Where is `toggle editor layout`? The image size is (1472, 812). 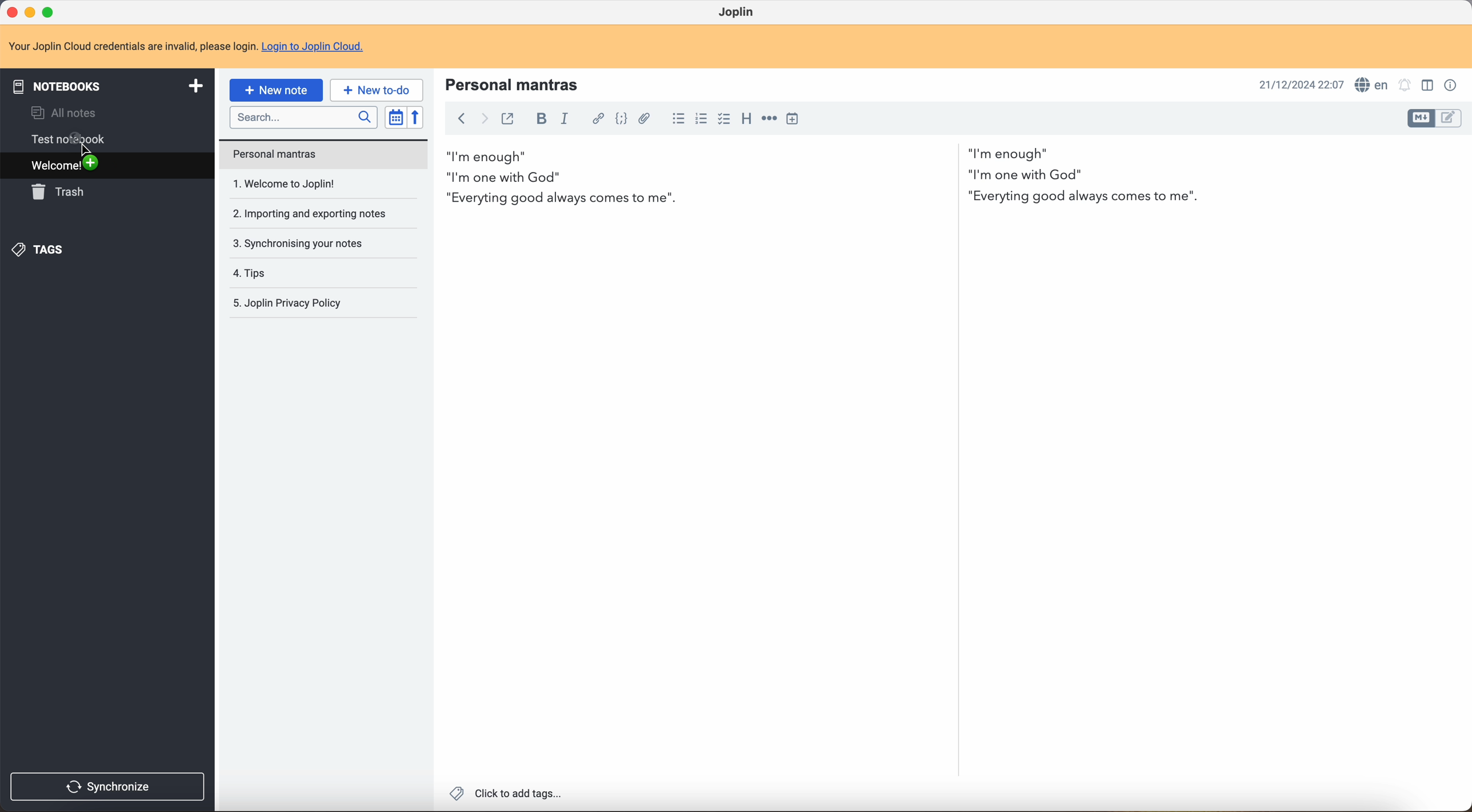
toggle editor layout is located at coordinates (1453, 117).